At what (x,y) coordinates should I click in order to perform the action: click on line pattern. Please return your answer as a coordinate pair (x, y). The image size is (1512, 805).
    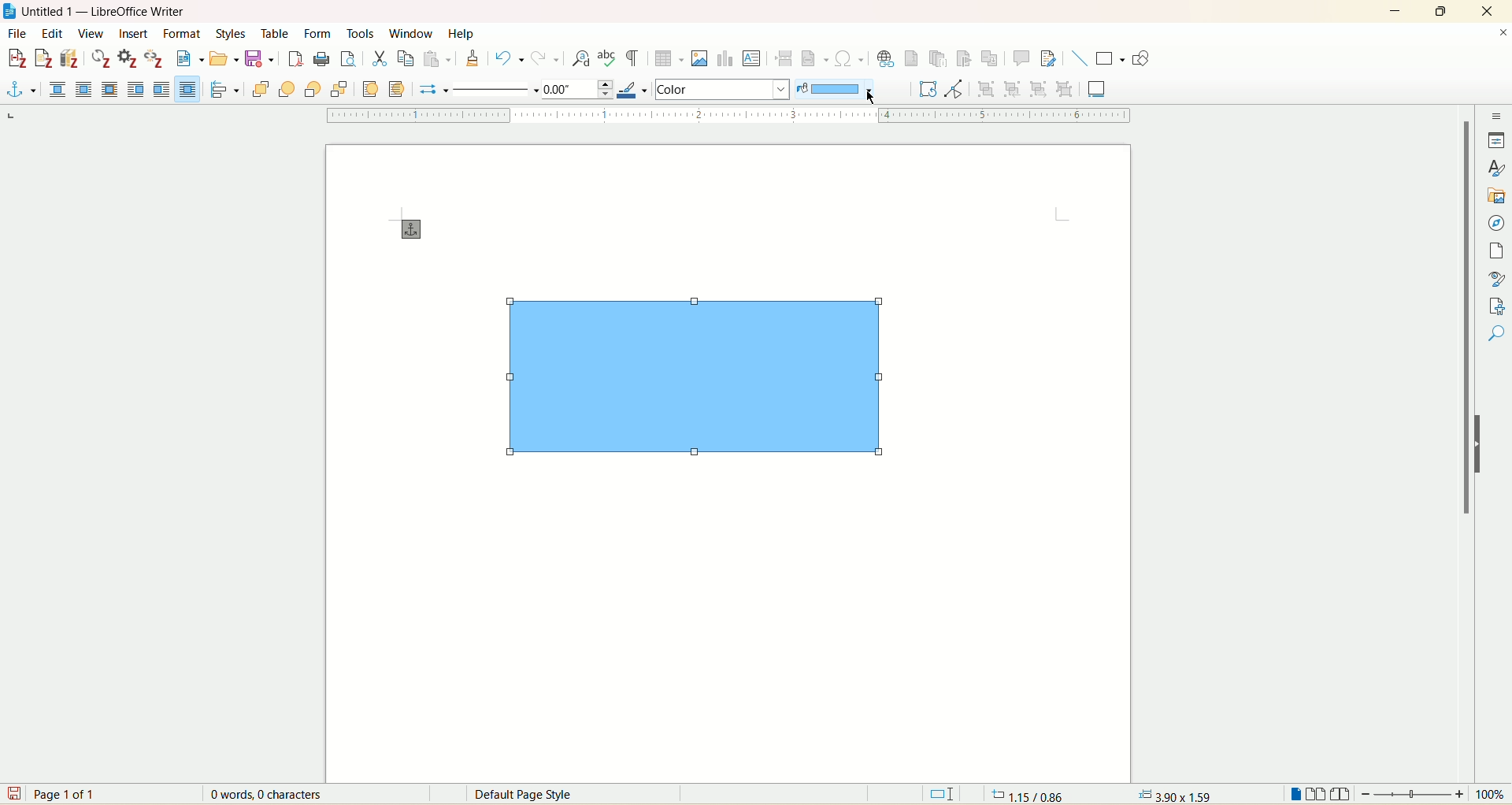
    Looking at the image, I should click on (493, 91).